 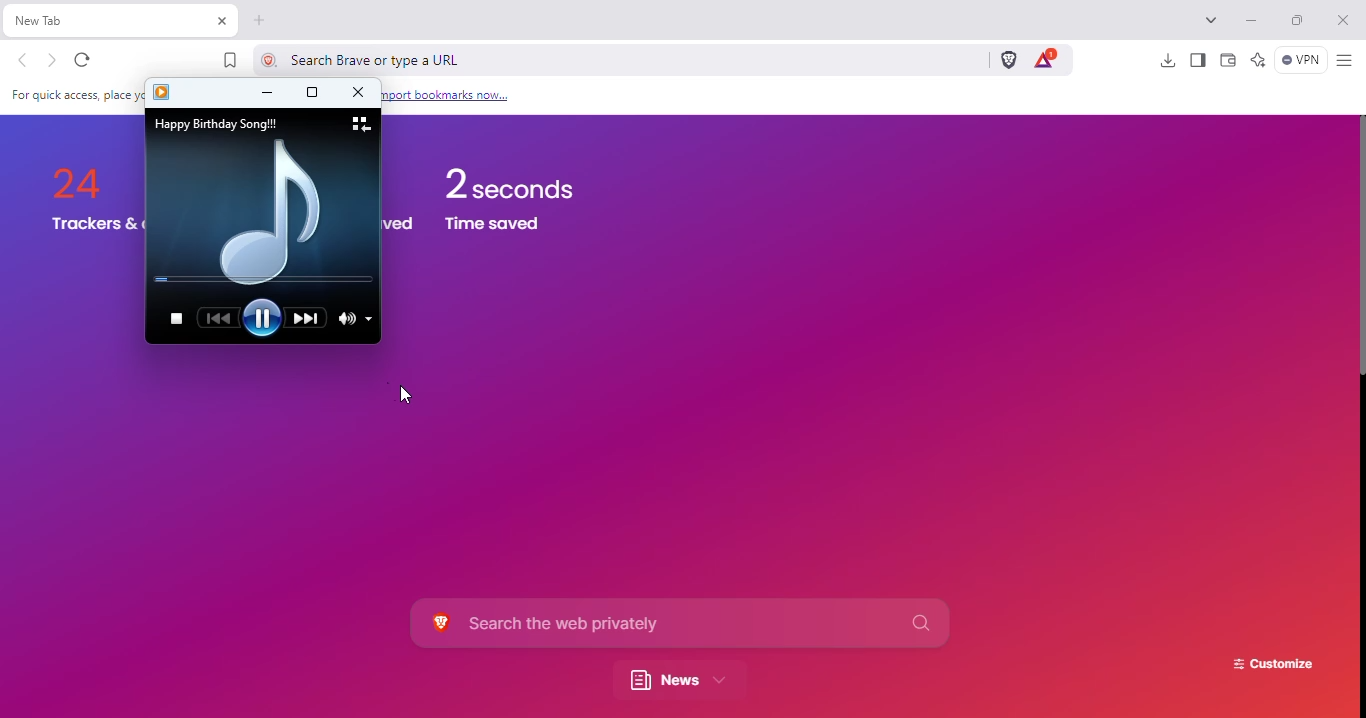 I want to click on downloads, so click(x=1168, y=61).